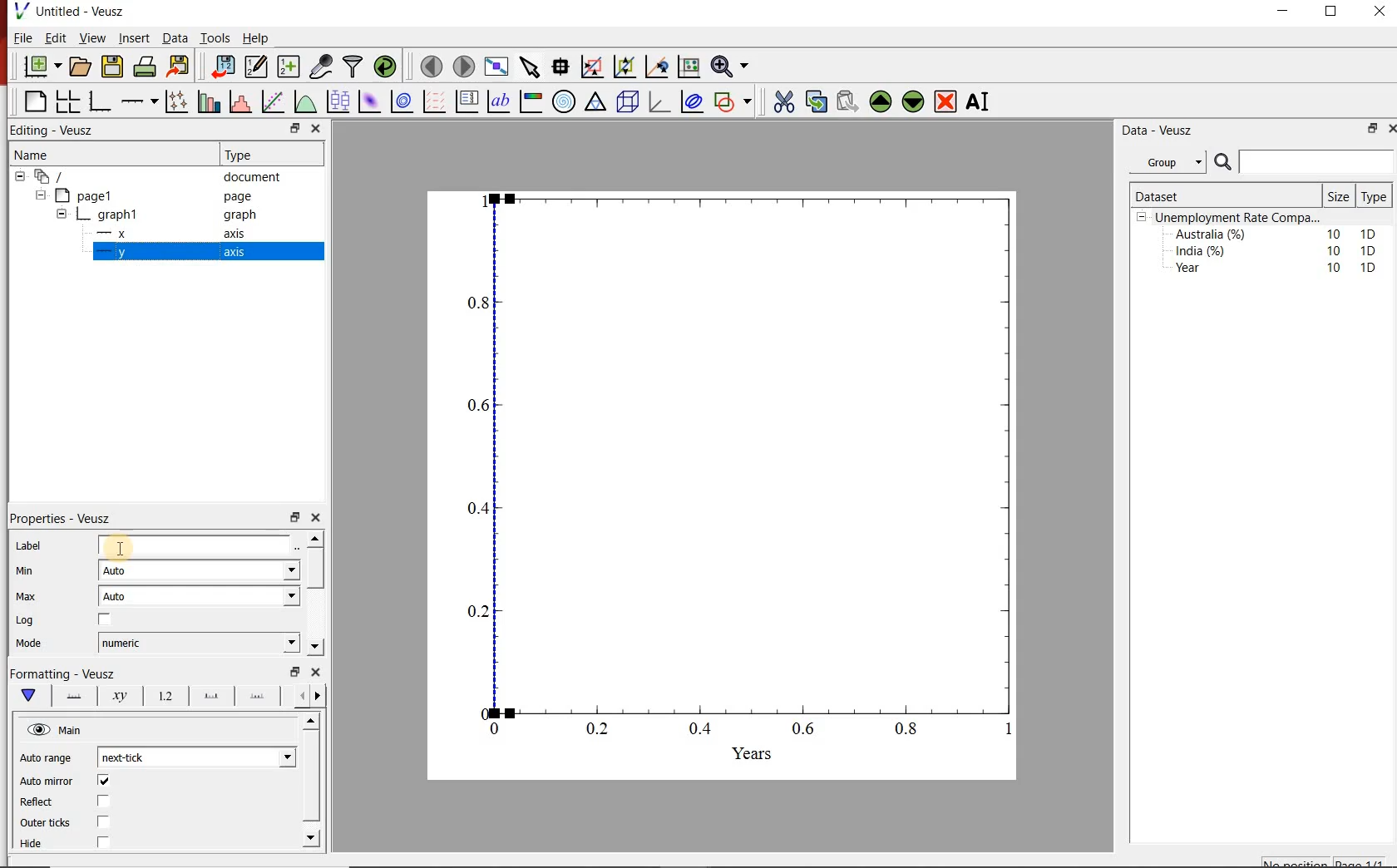 The image size is (1397, 868). What do you see at coordinates (258, 694) in the screenshot?
I see `minor ticks` at bounding box center [258, 694].